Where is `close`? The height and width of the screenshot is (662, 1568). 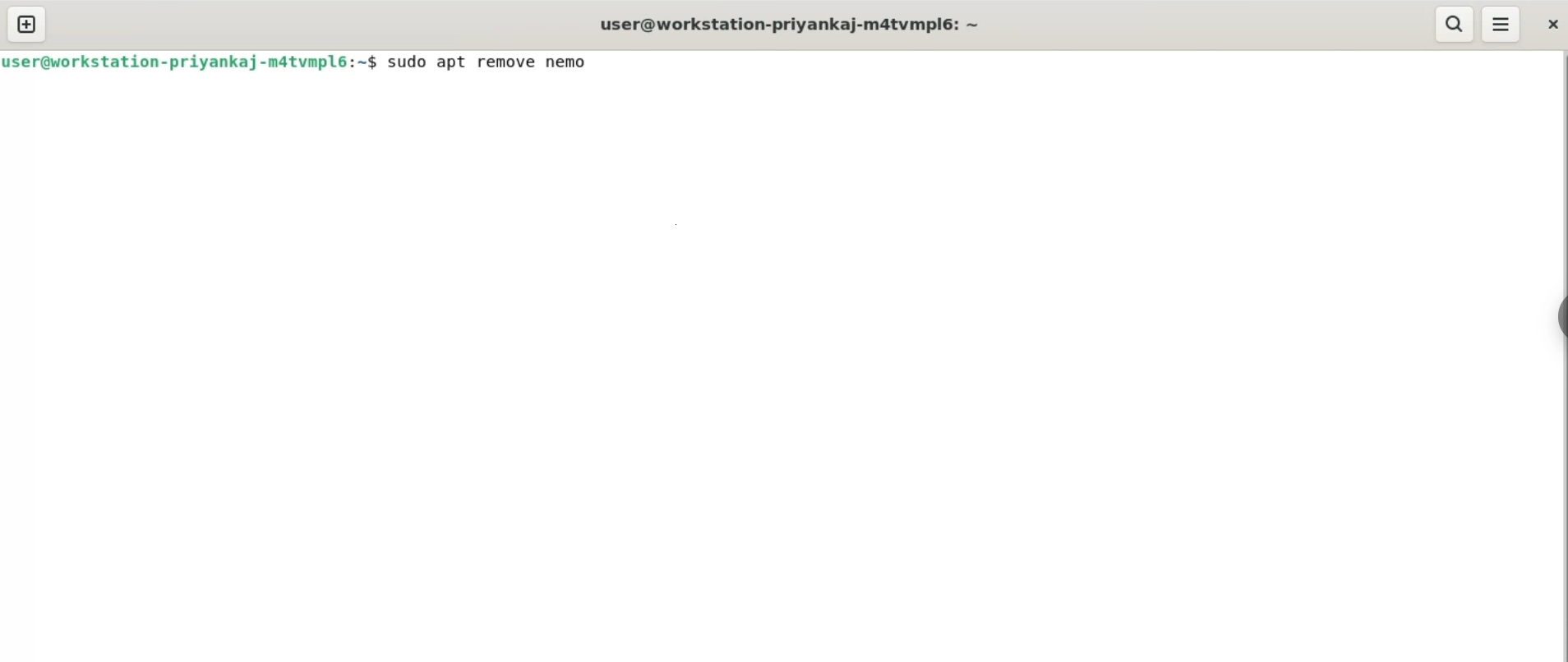 close is located at coordinates (1552, 25).